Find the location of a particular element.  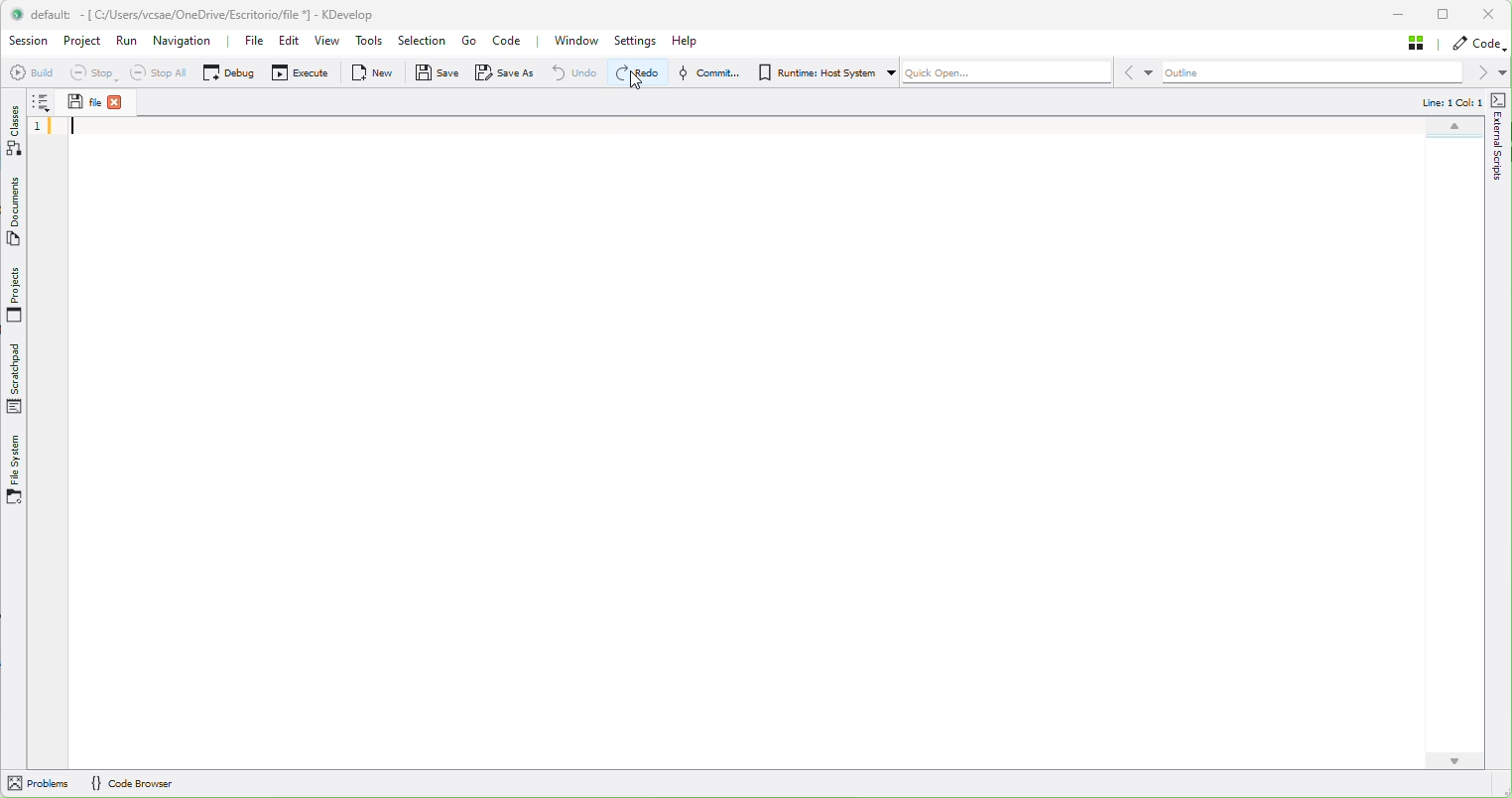

New is located at coordinates (374, 72).